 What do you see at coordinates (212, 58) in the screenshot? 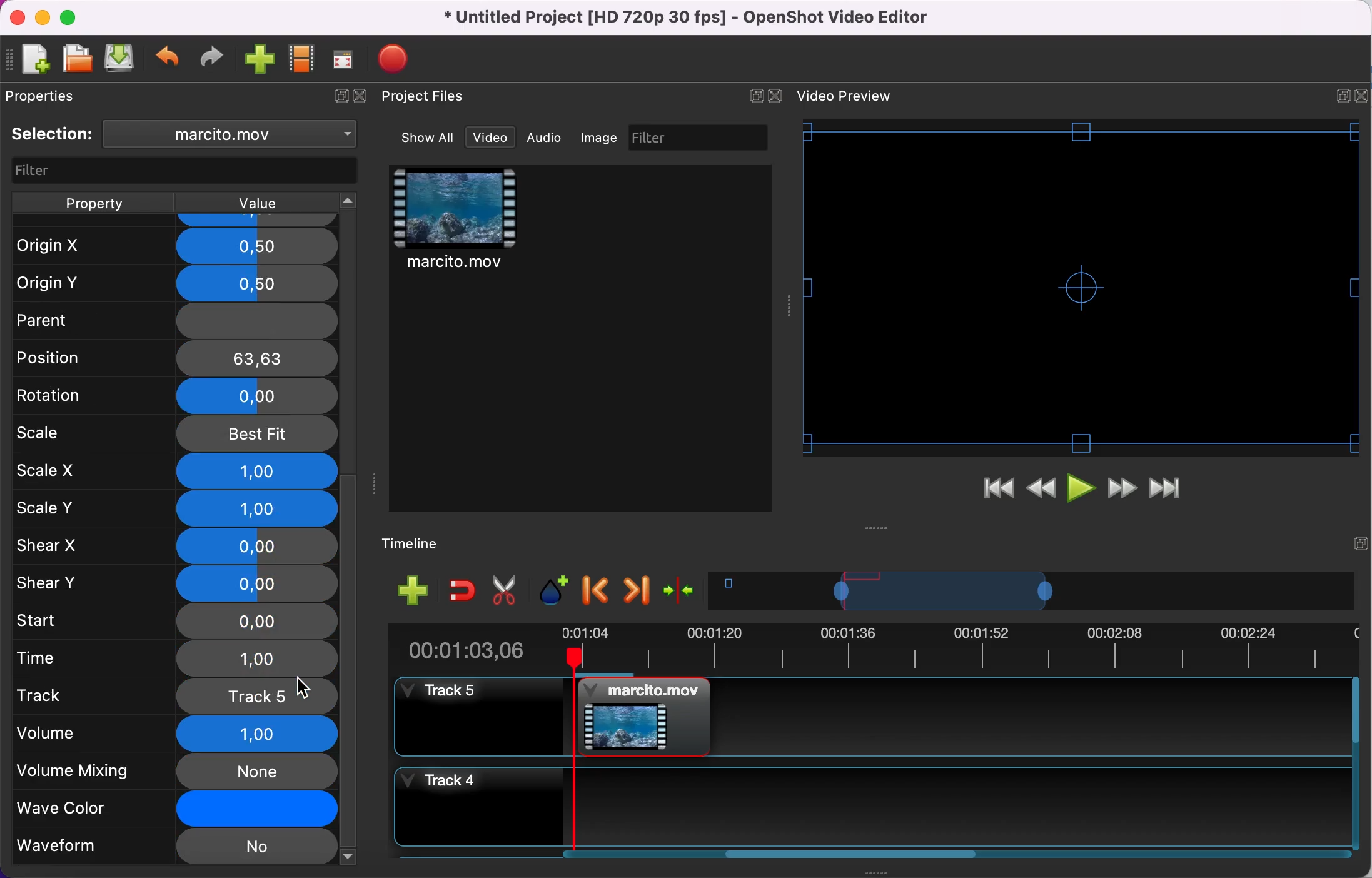
I see `redo` at bounding box center [212, 58].